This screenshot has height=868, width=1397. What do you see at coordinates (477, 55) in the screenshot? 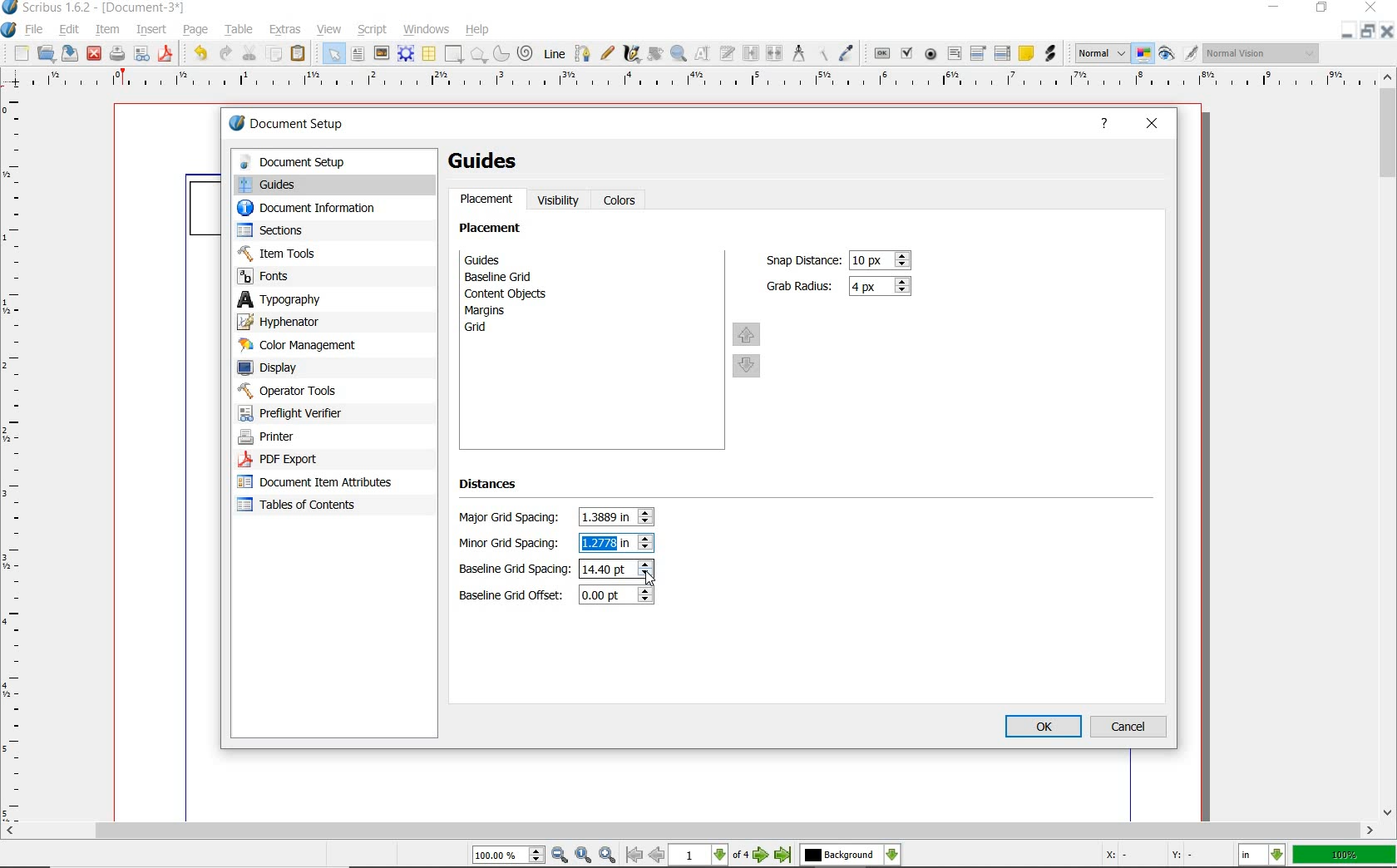
I see `polygon` at bounding box center [477, 55].